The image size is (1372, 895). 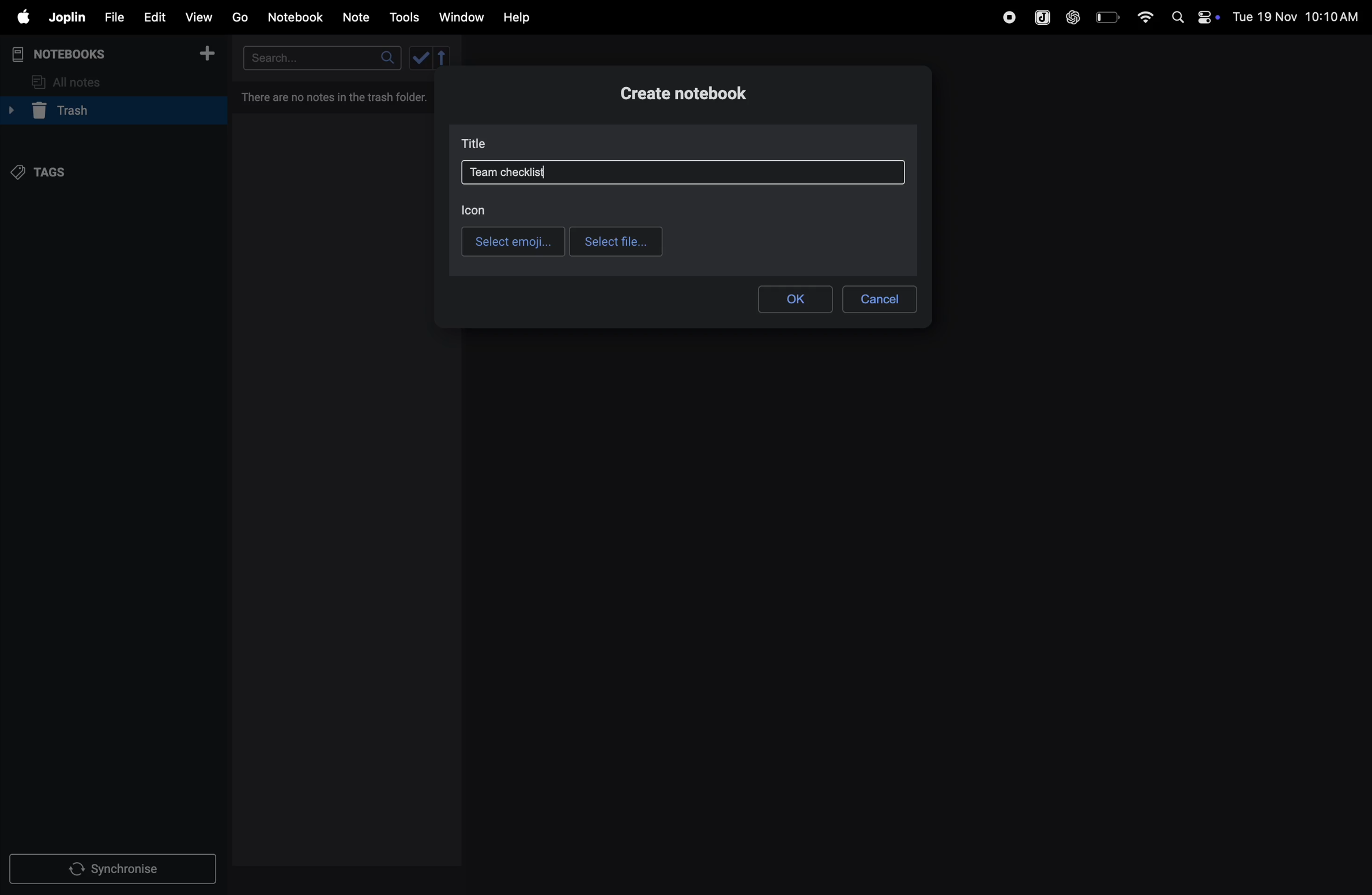 I want to click on tags, so click(x=47, y=172).